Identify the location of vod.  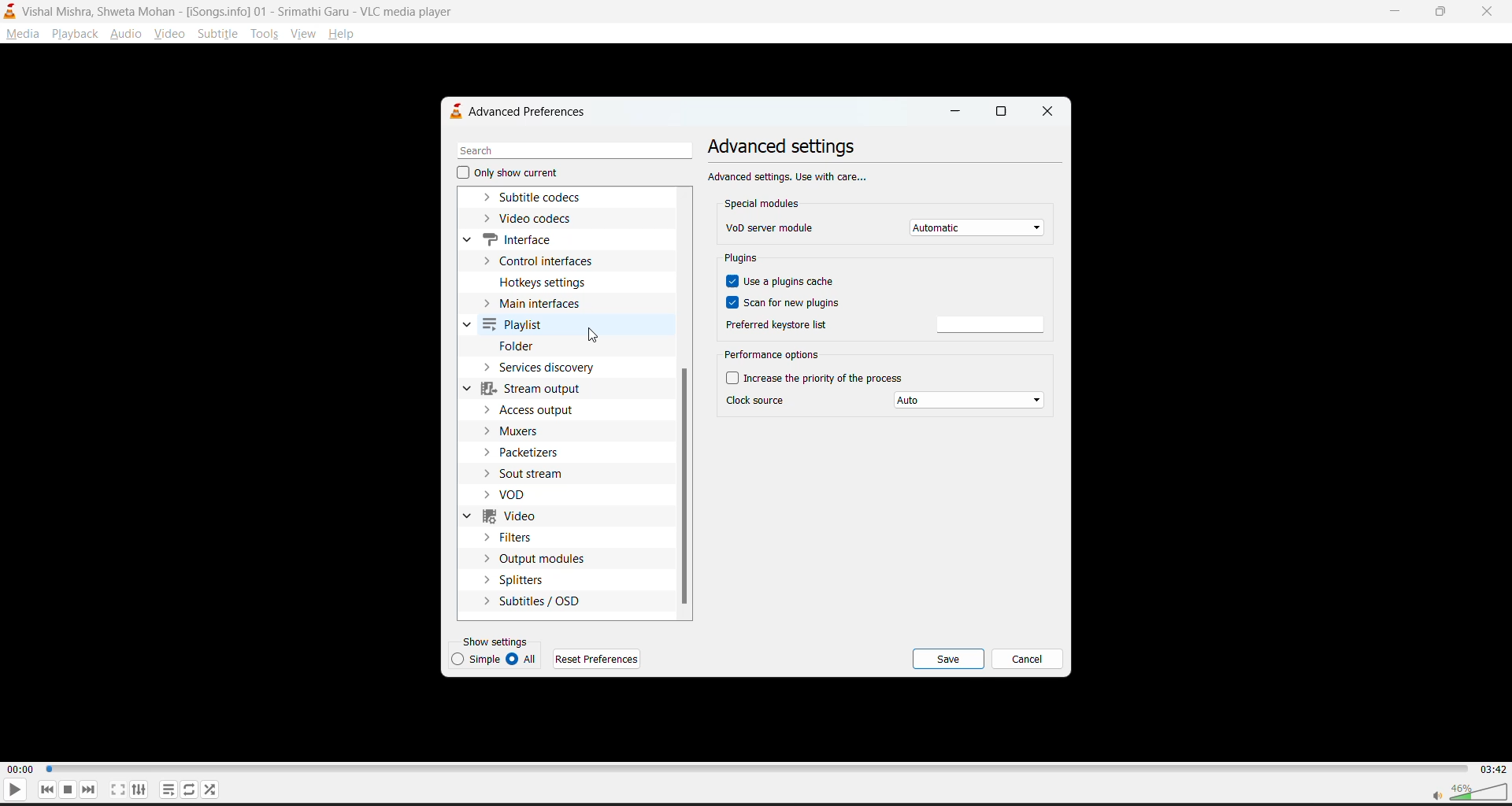
(515, 495).